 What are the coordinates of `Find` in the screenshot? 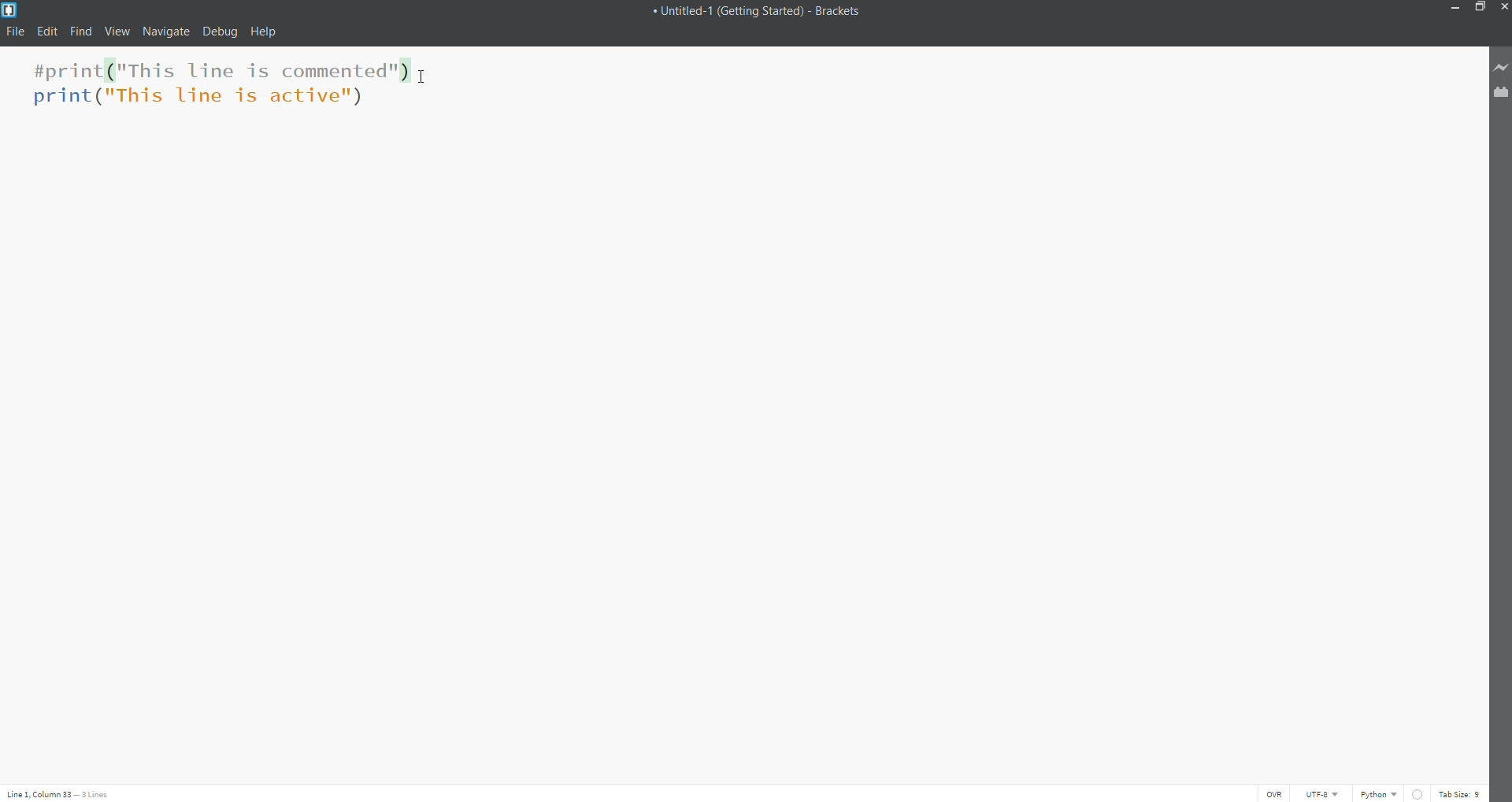 It's located at (80, 32).